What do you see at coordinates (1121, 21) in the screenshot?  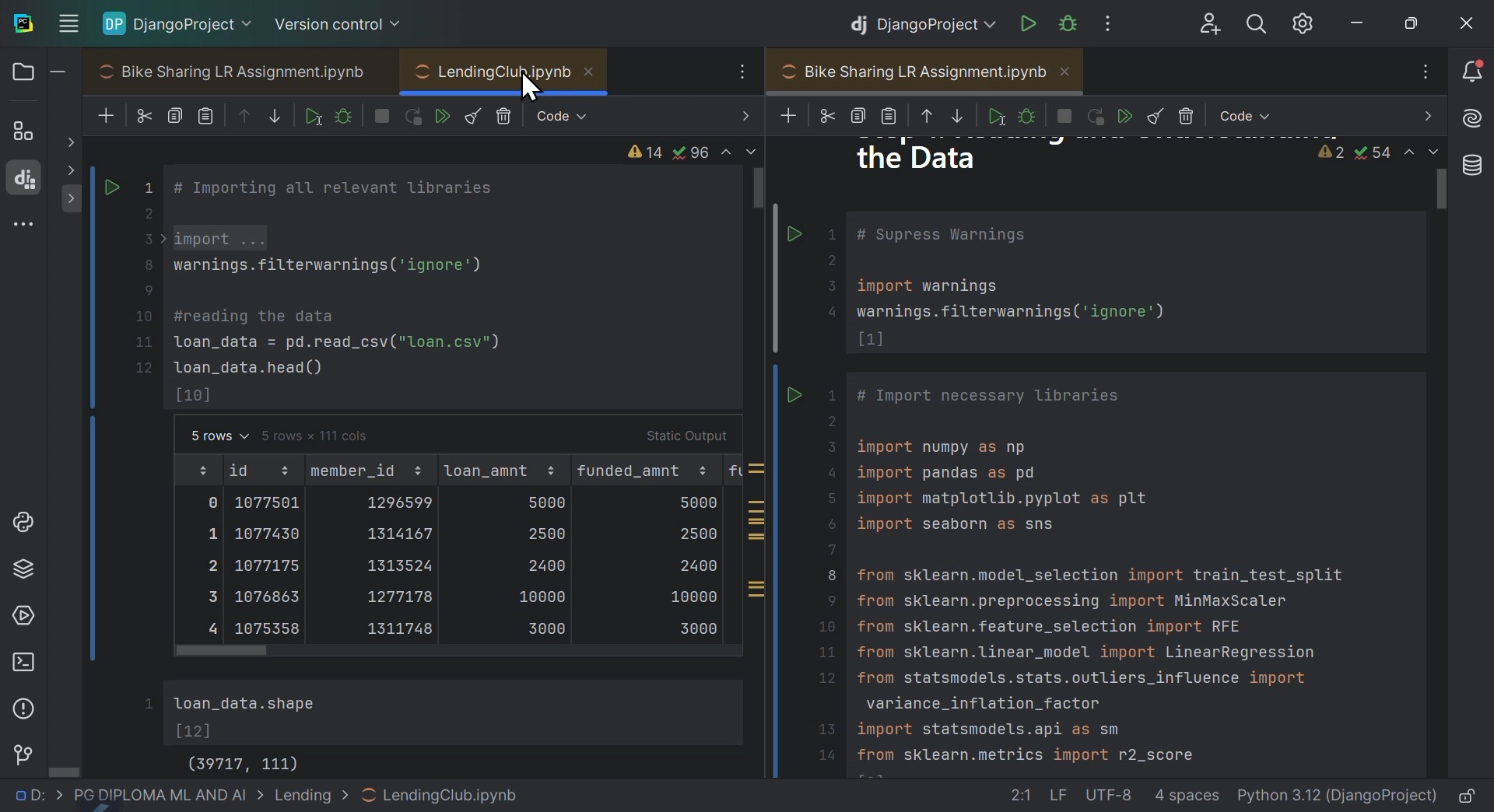 I see `More options` at bounding box center [1121, 21].